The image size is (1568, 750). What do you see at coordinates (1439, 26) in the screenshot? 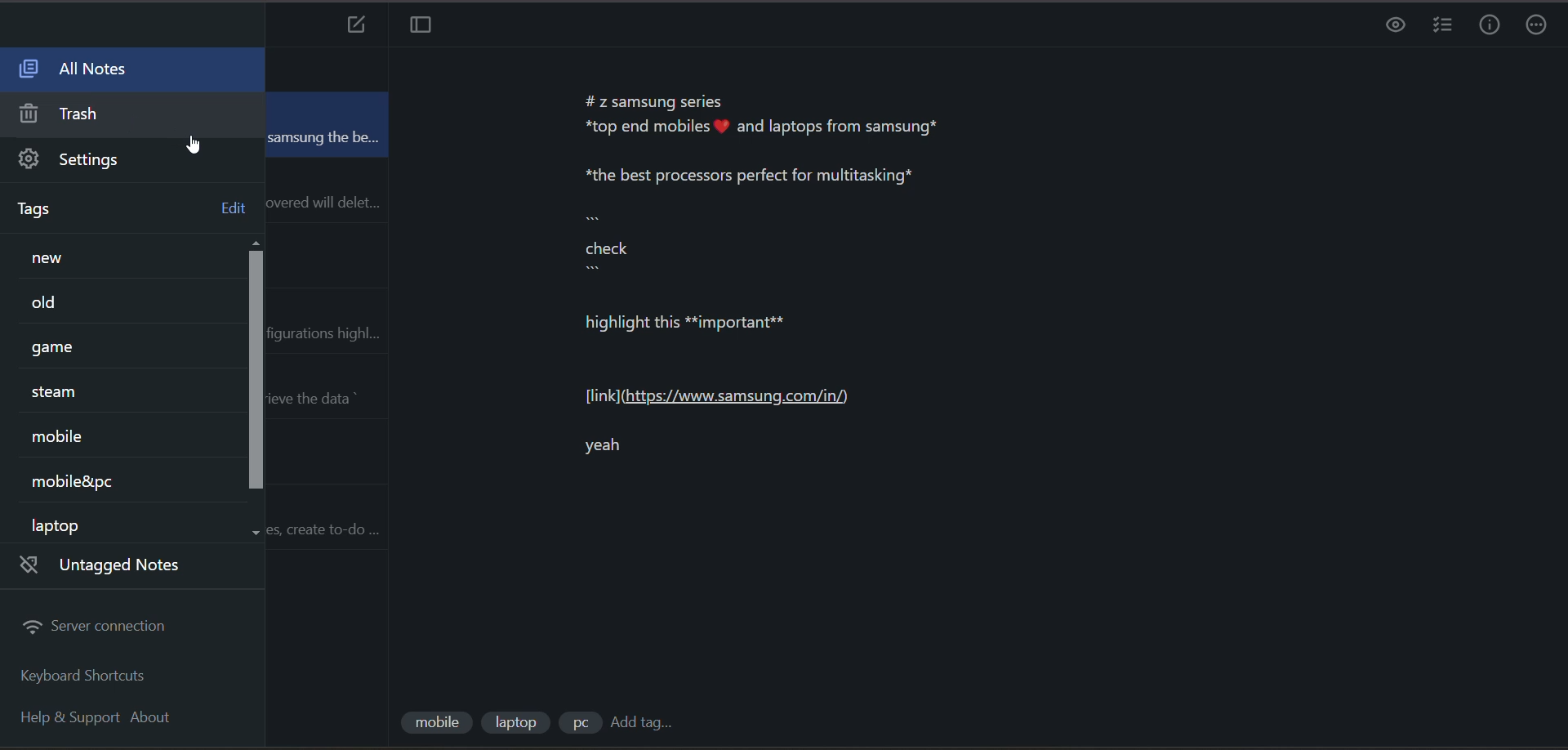
I see `insert checklist` at bounding box center [1439, 26].